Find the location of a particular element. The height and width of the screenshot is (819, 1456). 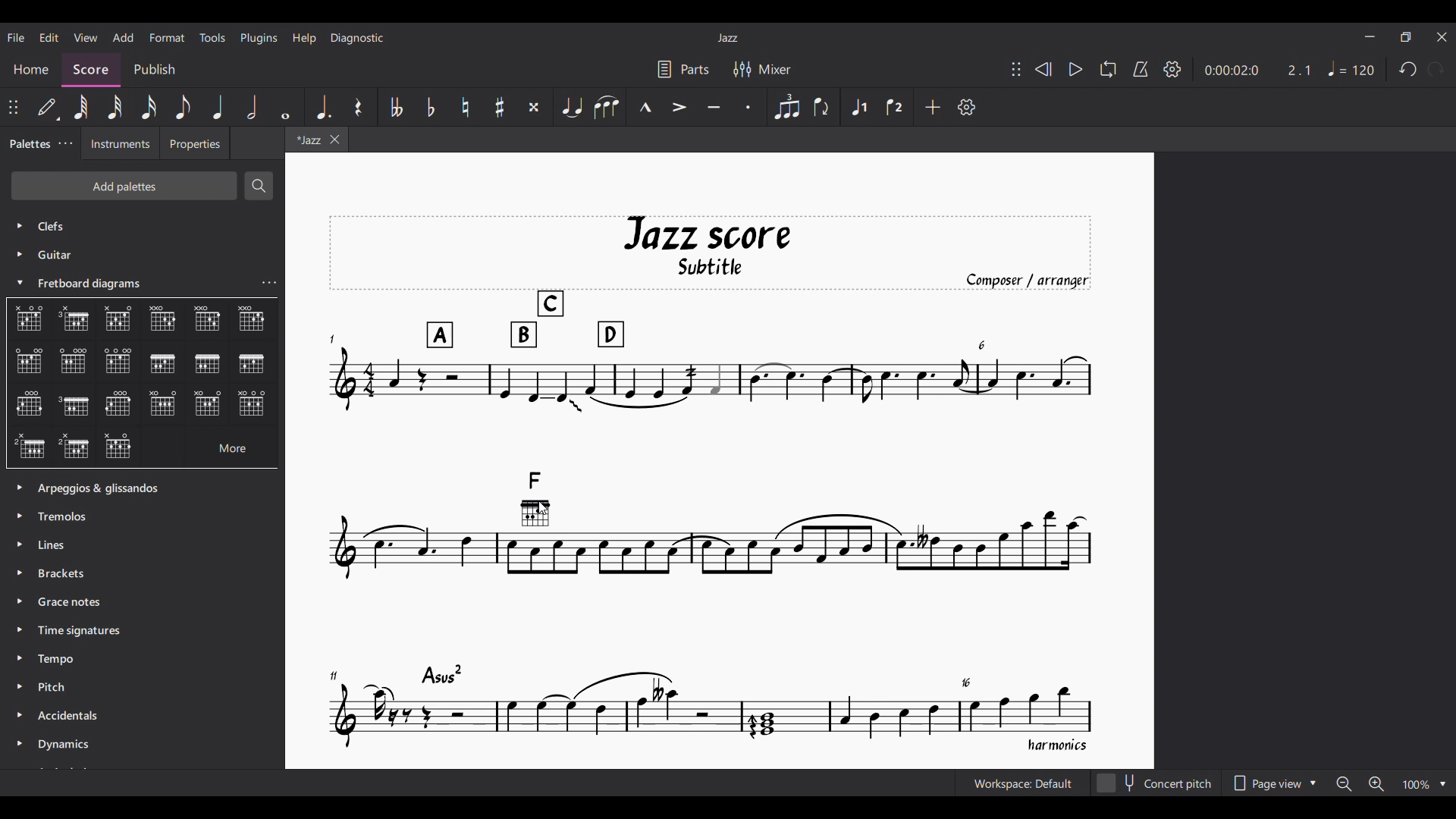

Edit menu is located at coordinates (49, 37).